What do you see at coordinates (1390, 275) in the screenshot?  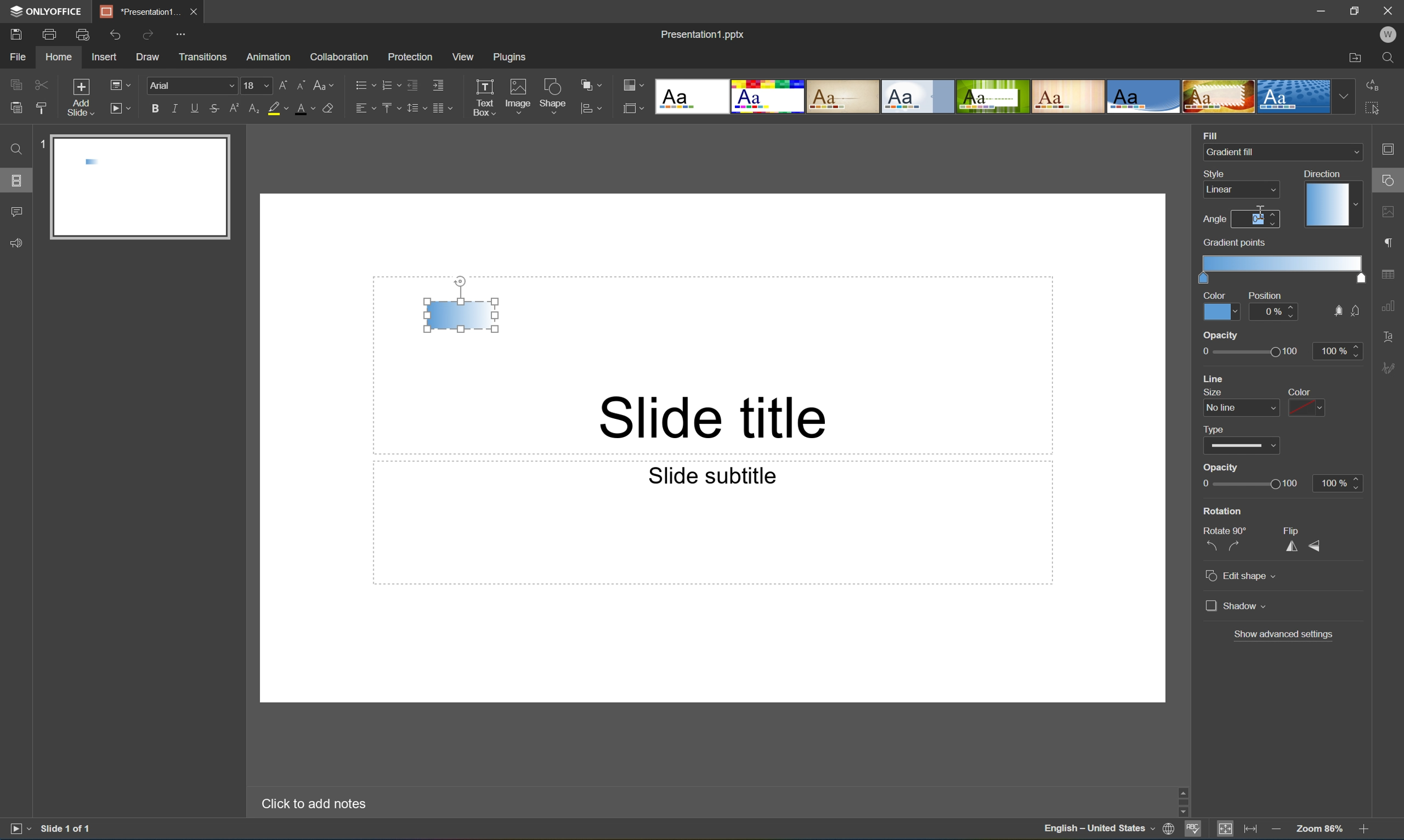 I see `table settings` at bounding box center [1390, 275].